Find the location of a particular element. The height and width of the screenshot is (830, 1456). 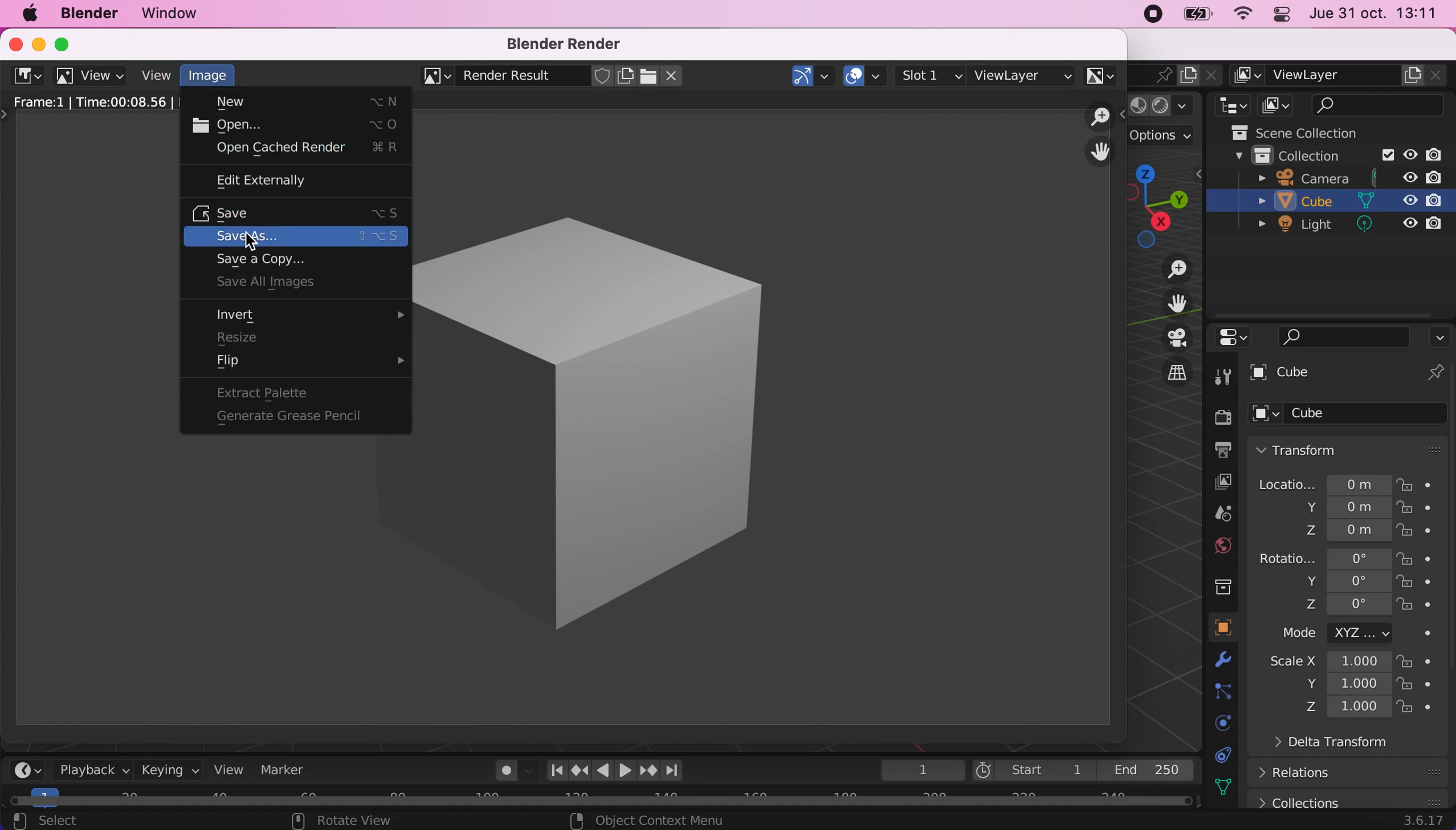

select is located at coordinates (85, 820).